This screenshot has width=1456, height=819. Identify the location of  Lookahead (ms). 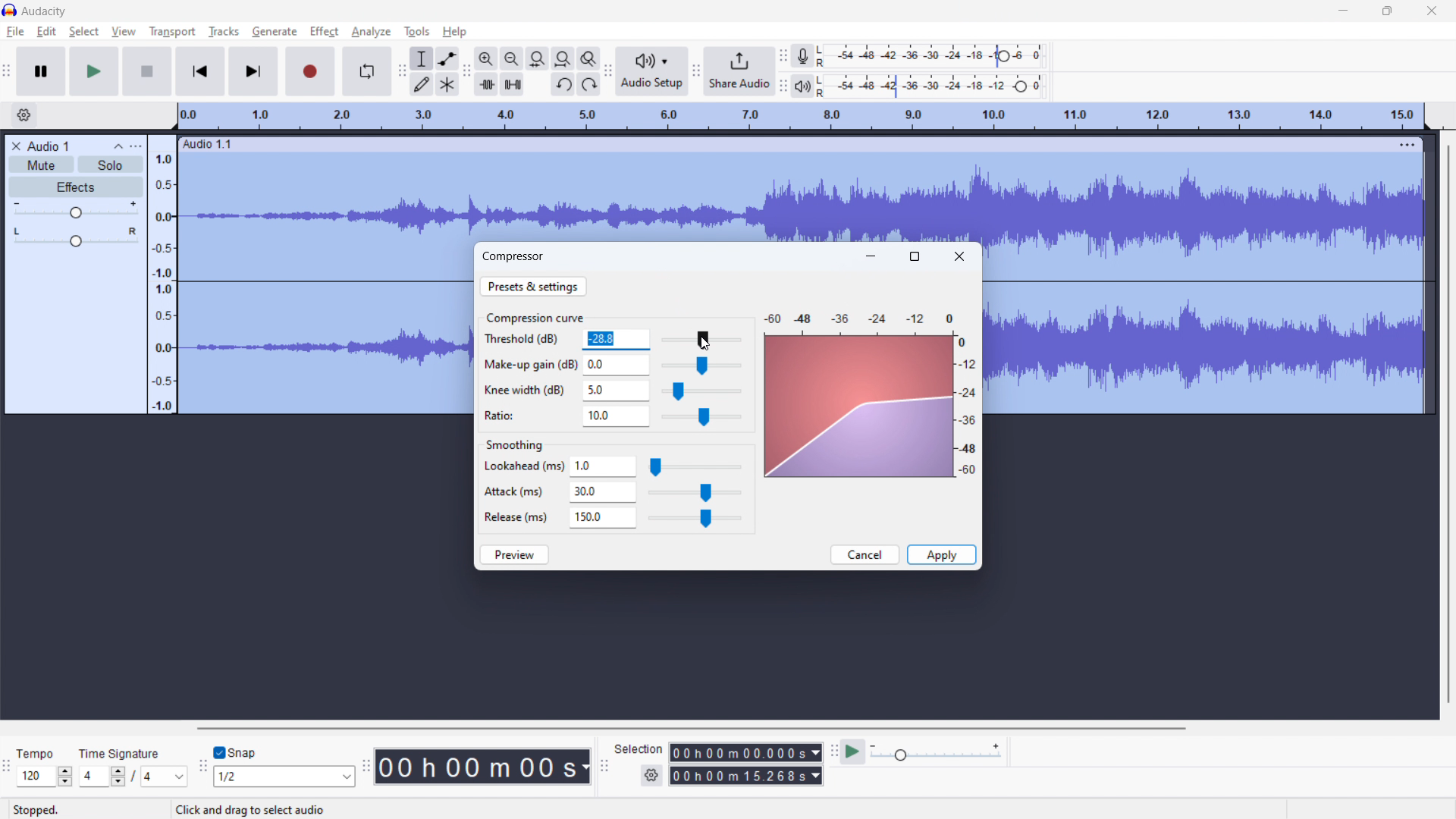
(523, 467).